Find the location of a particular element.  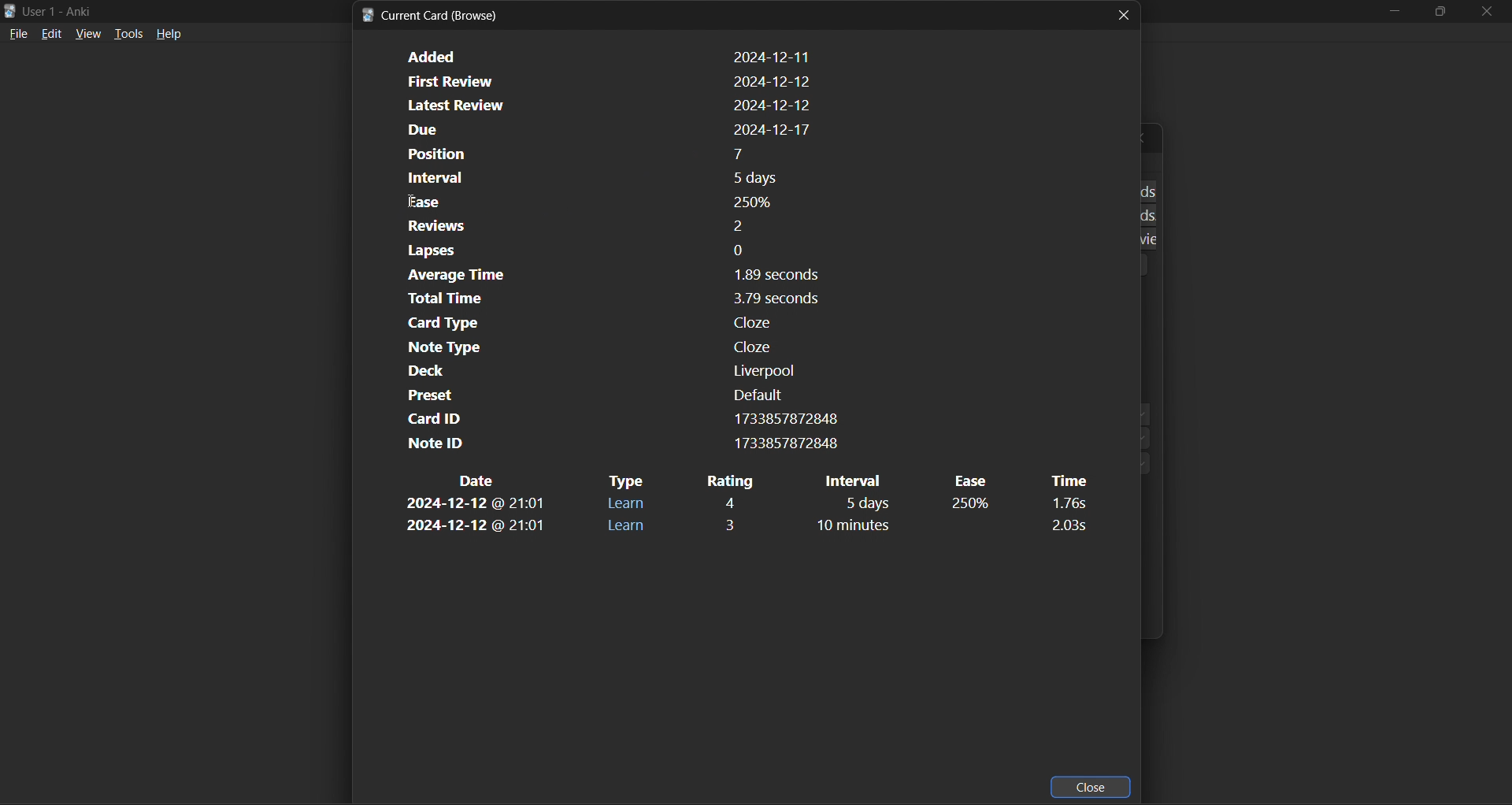

view is located at coordinates (88, 35).